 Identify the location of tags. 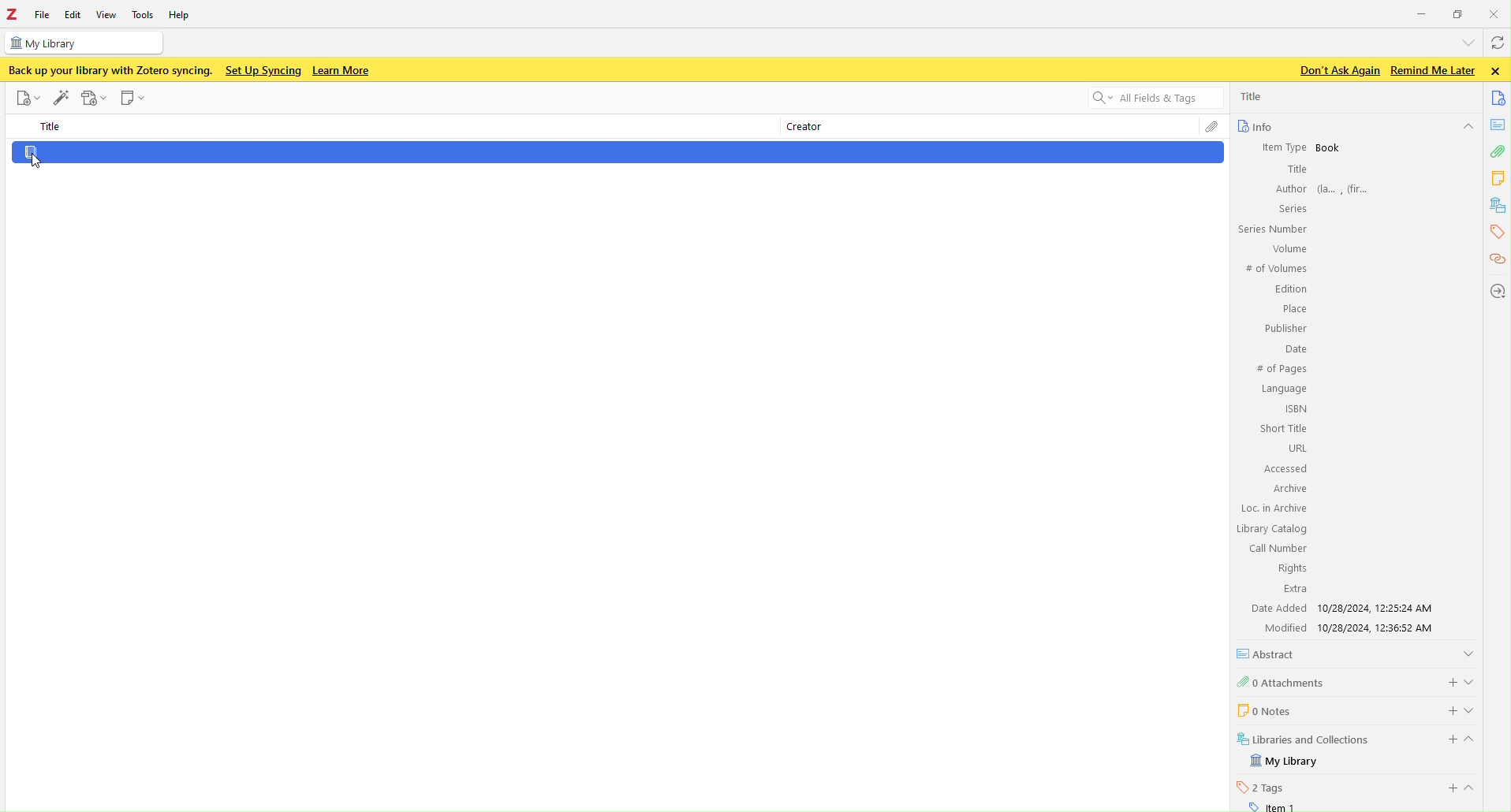
(1357, 787).